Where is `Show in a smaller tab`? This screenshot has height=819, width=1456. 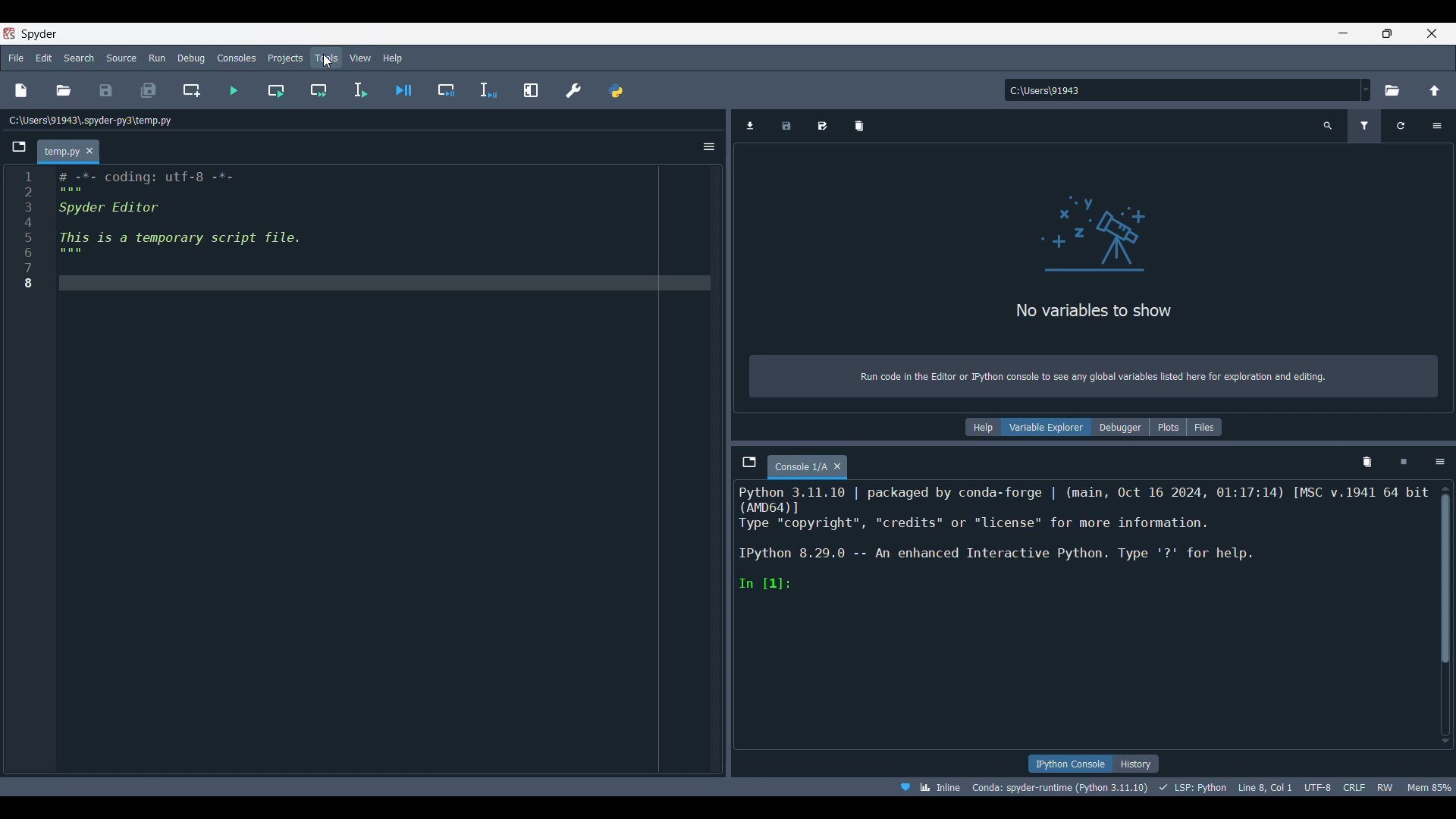
Show in a smaller tab is located at coordinates (1388, 34).